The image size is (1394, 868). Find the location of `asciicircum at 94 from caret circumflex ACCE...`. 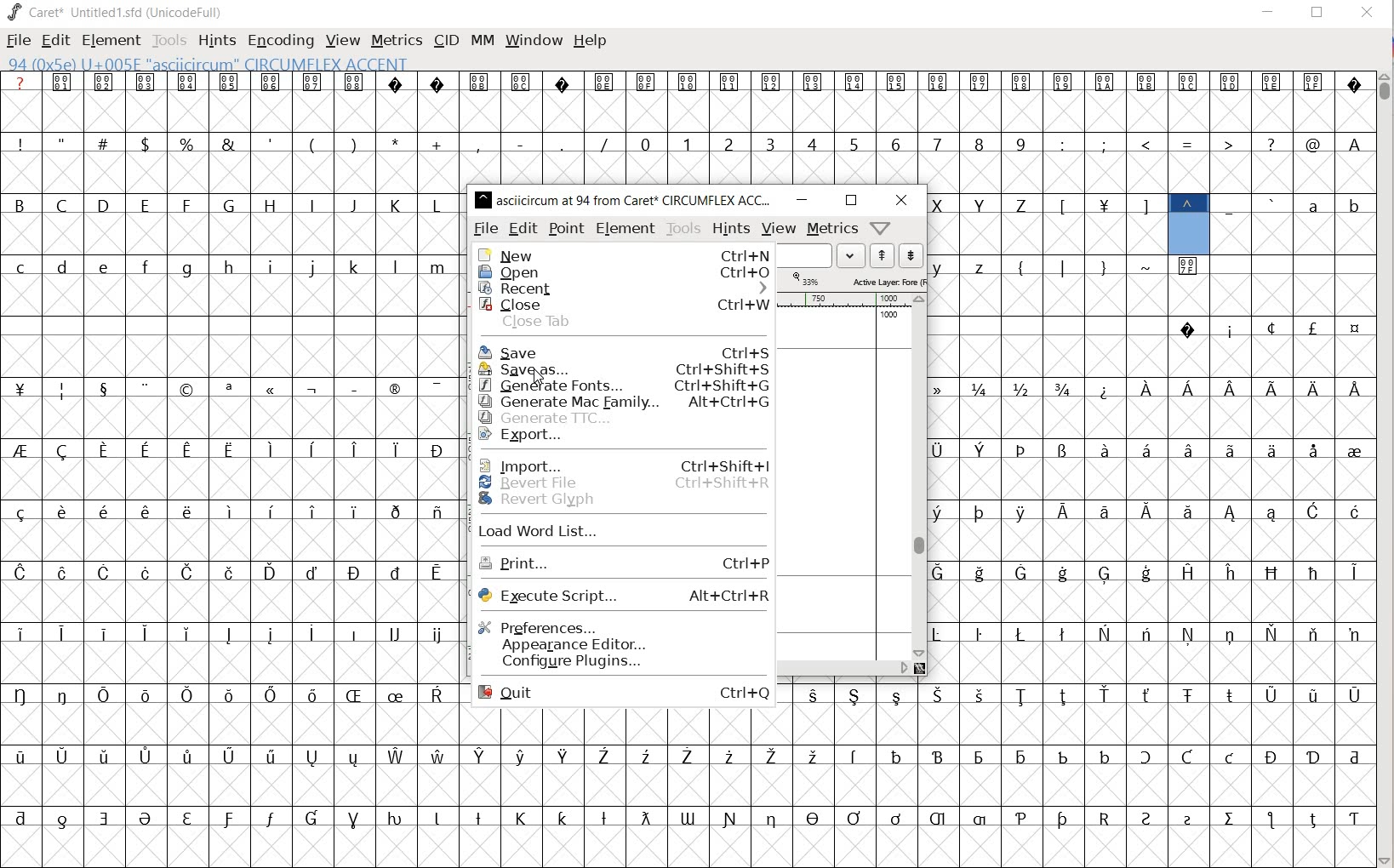

asciicircum at 94 from caret circumflex ACCE... is located at coordinates (626, 197).